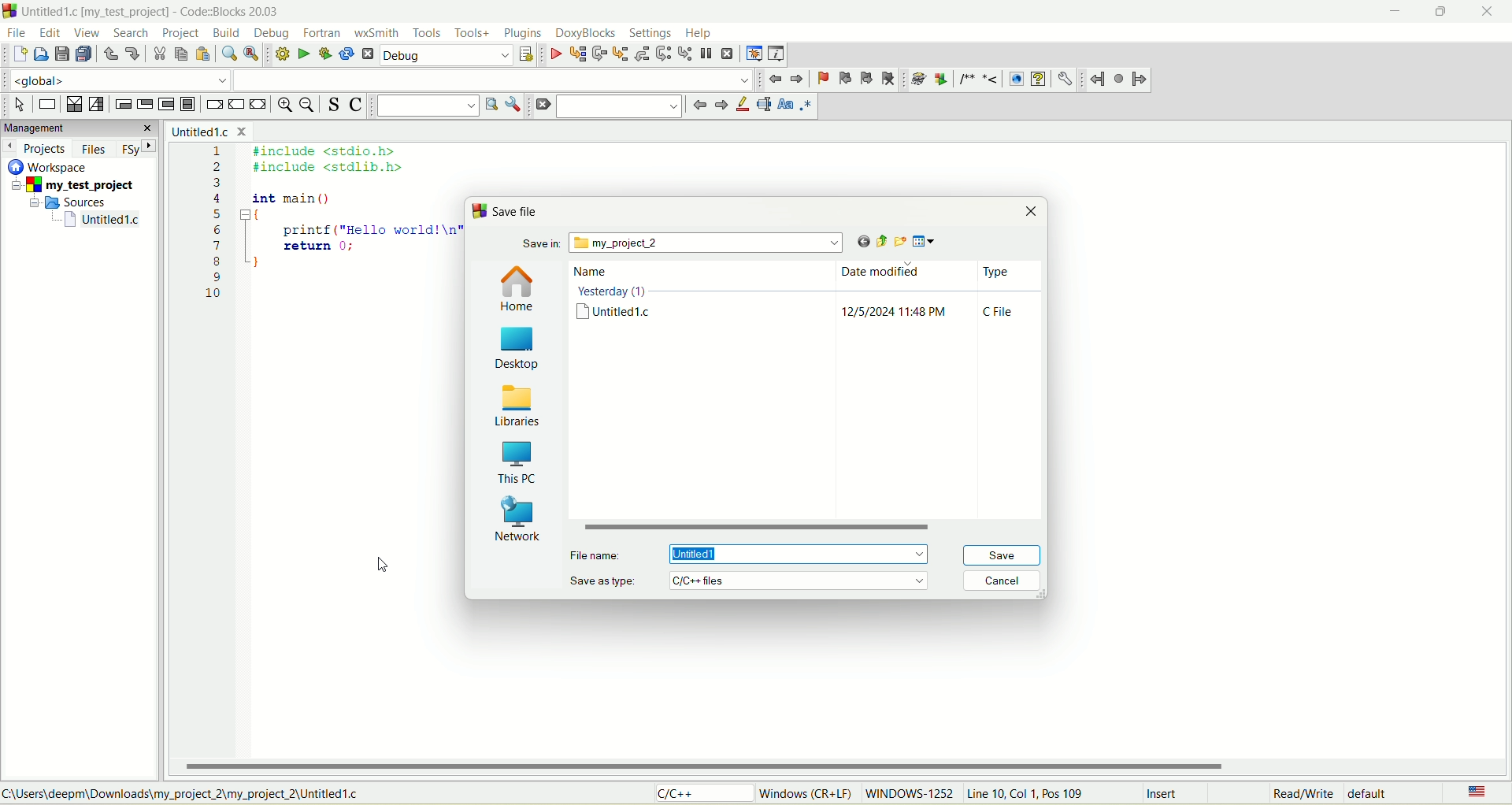  What do you see at coordinates (523, 33) in the screenshot?
I see `plugins` at bounding box center [523, 33].